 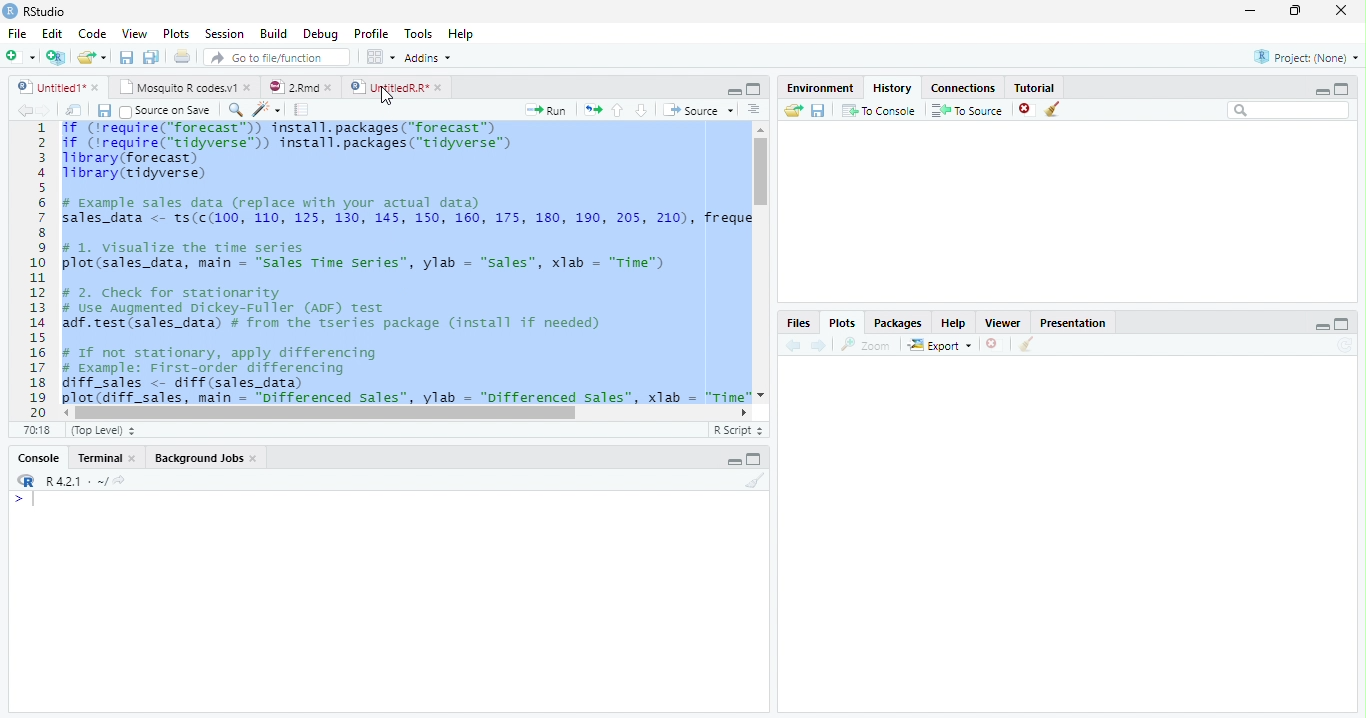 What do you see at coordinates (303, 109) in the screenshot?
I see `Compile Report` at bounding box center [303, 109].